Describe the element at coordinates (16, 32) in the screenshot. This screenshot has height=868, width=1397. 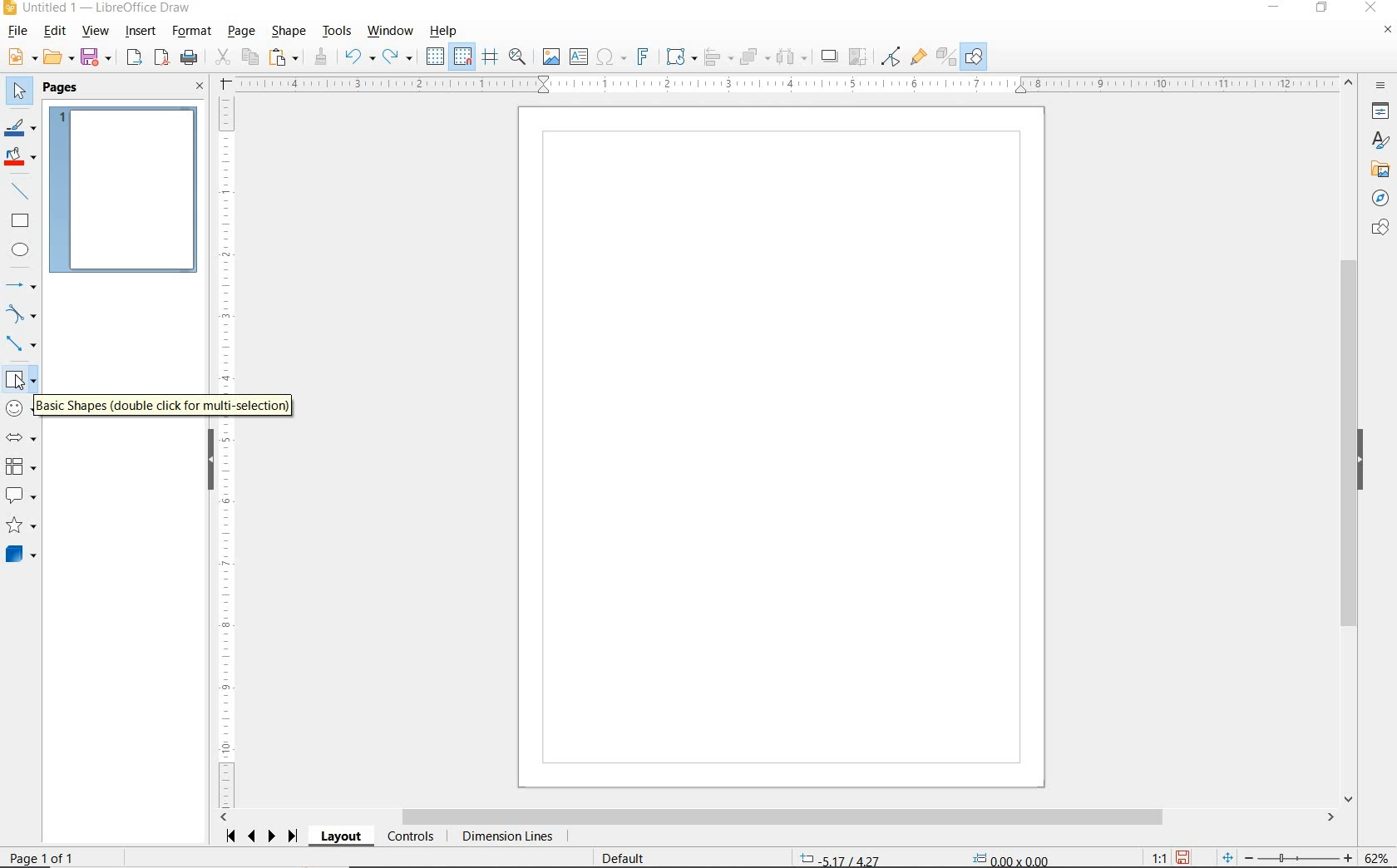
I see `FILE` at that location.